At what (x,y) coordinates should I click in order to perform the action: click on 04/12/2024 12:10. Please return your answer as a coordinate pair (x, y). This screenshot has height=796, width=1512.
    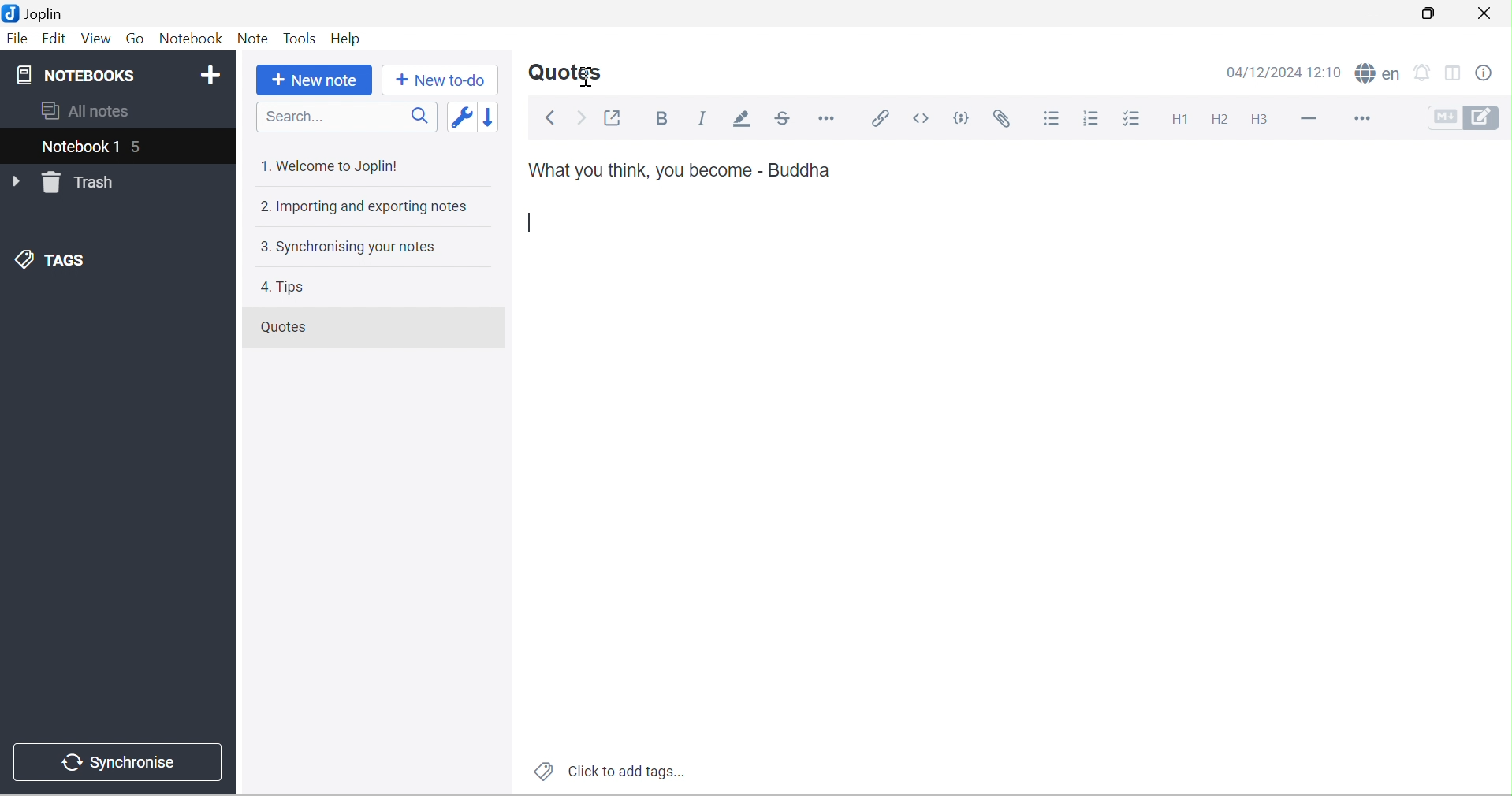
    Looking at the image, I should click on (1284, 72).